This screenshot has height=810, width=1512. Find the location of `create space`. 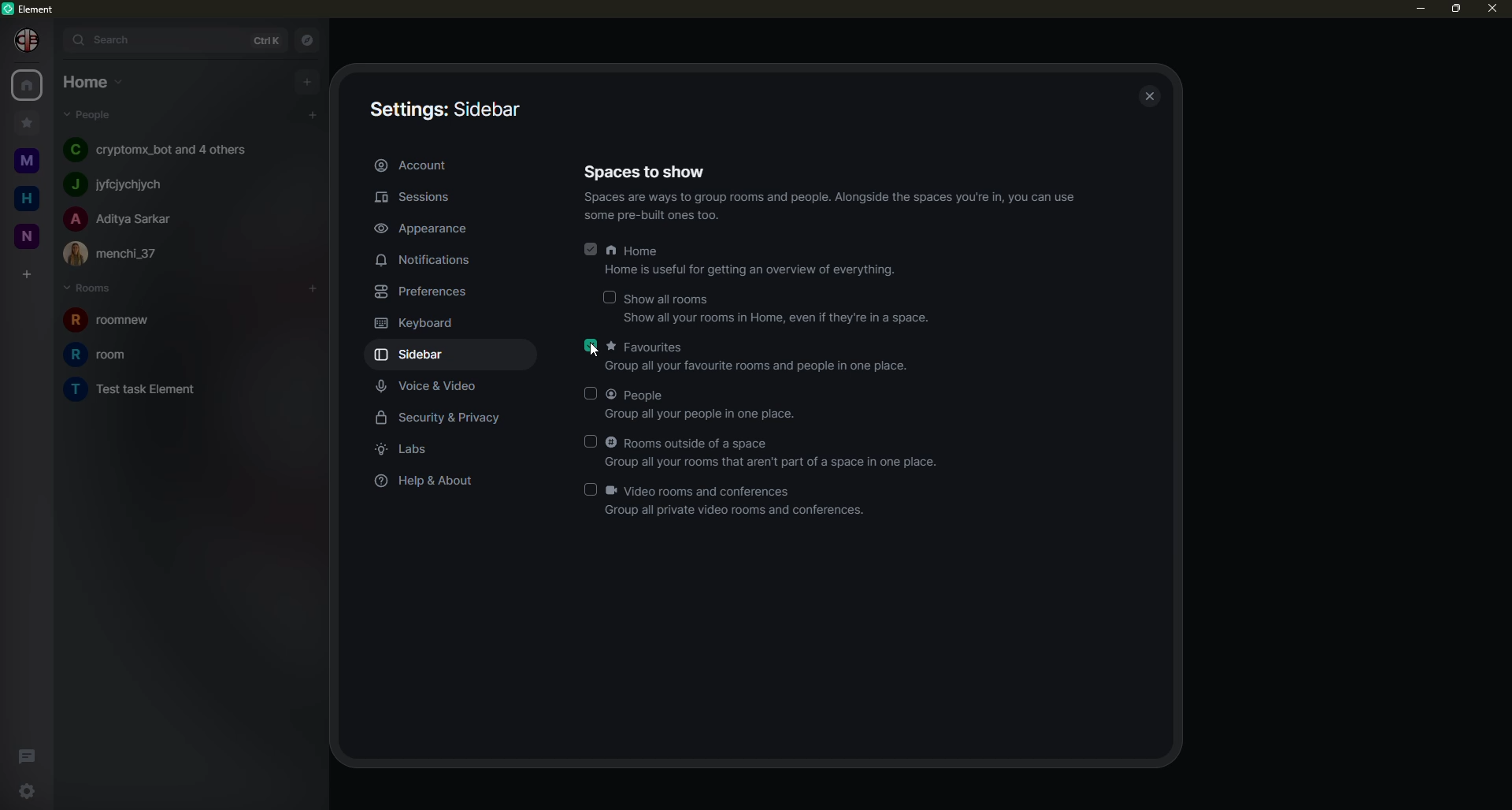

create space is located at coordinates (24, 274).